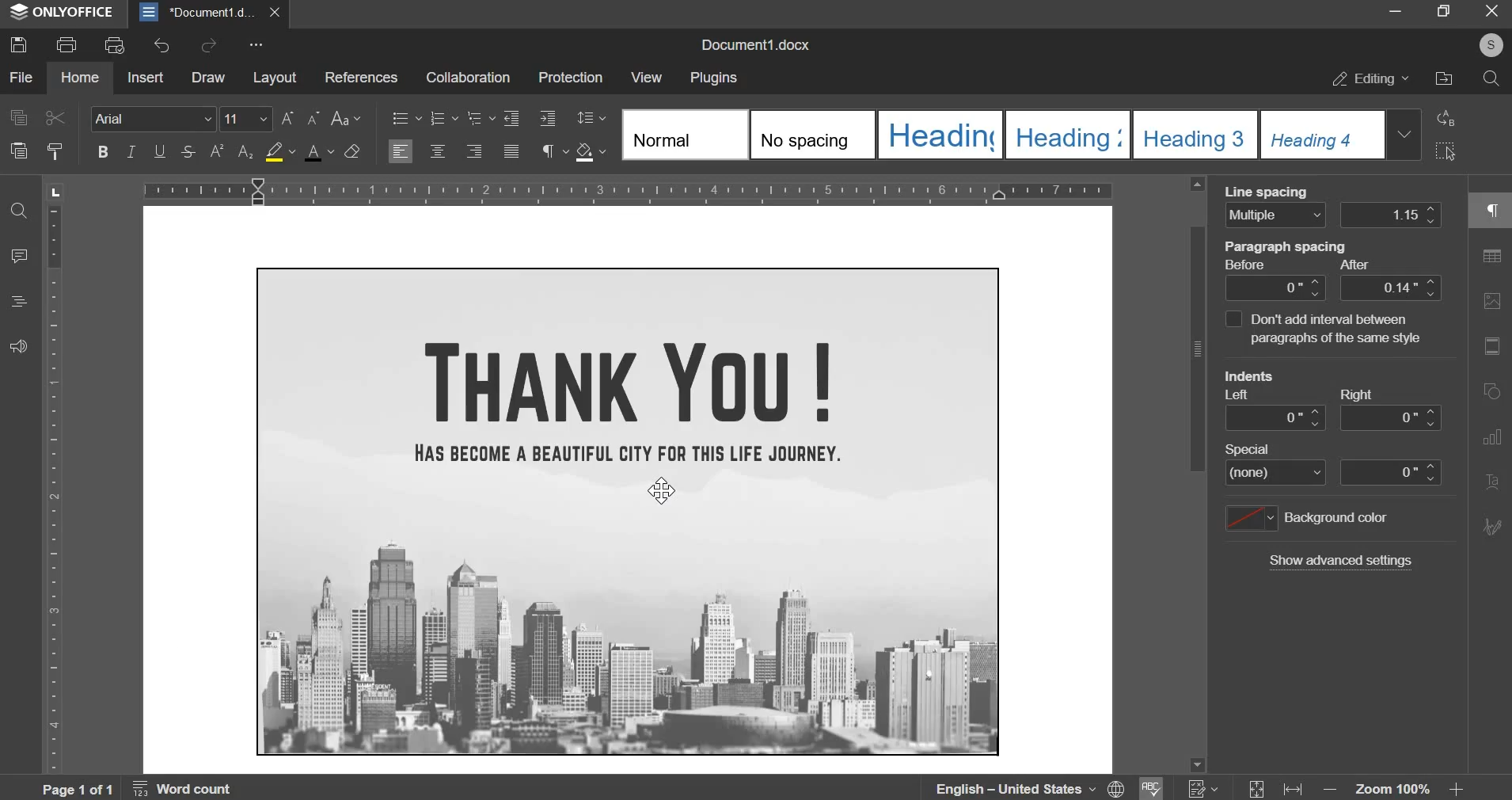 This screenshot has width=1512, height=800. Describe the element at coordinates (160, 150) in the screenshot. I see `underline` at that location.